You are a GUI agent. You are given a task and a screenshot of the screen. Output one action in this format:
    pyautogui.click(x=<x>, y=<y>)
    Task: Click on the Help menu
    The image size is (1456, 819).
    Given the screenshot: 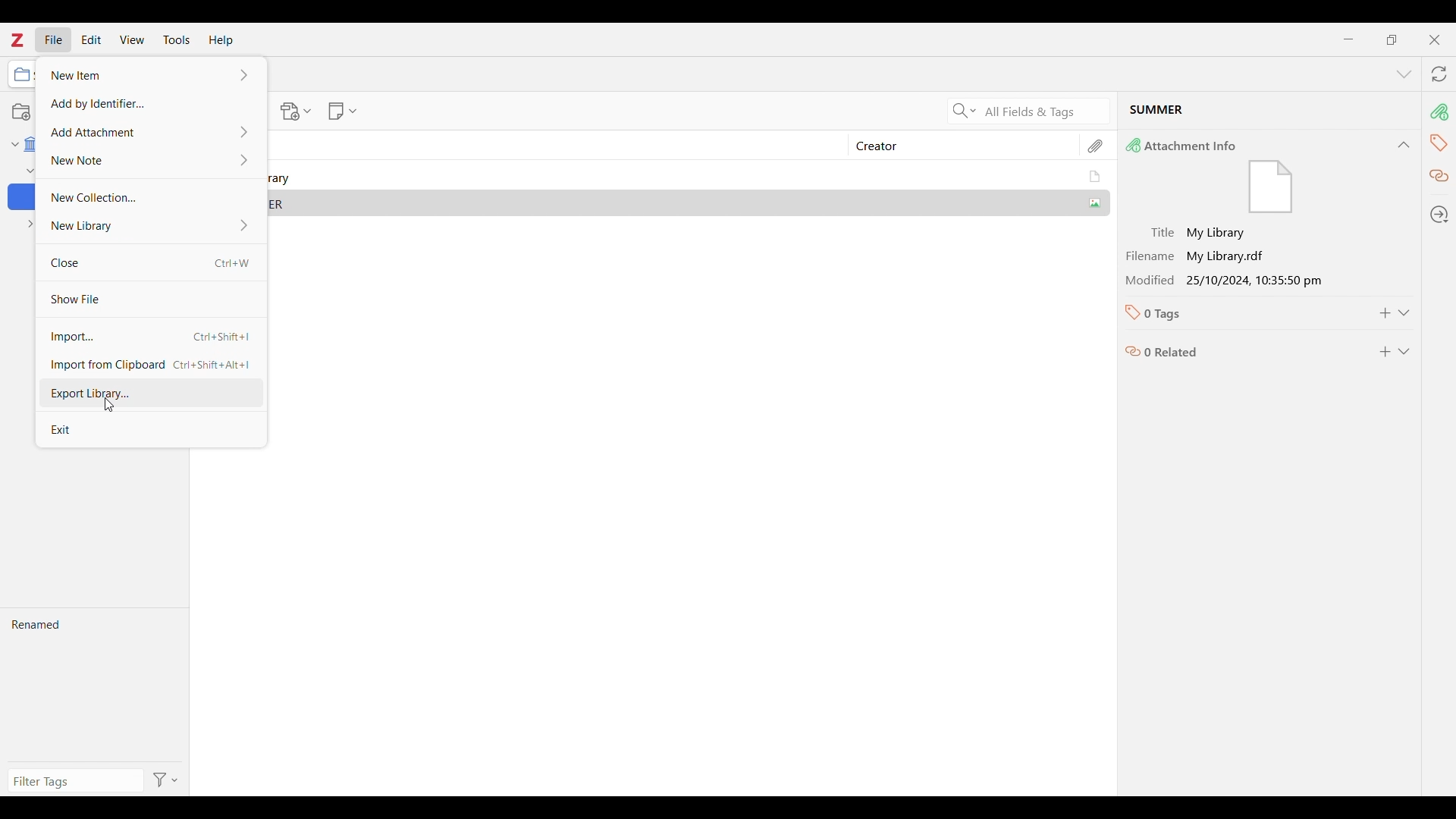 What is the action you would take?
    pyautogui.click(x=221, y=40)
    